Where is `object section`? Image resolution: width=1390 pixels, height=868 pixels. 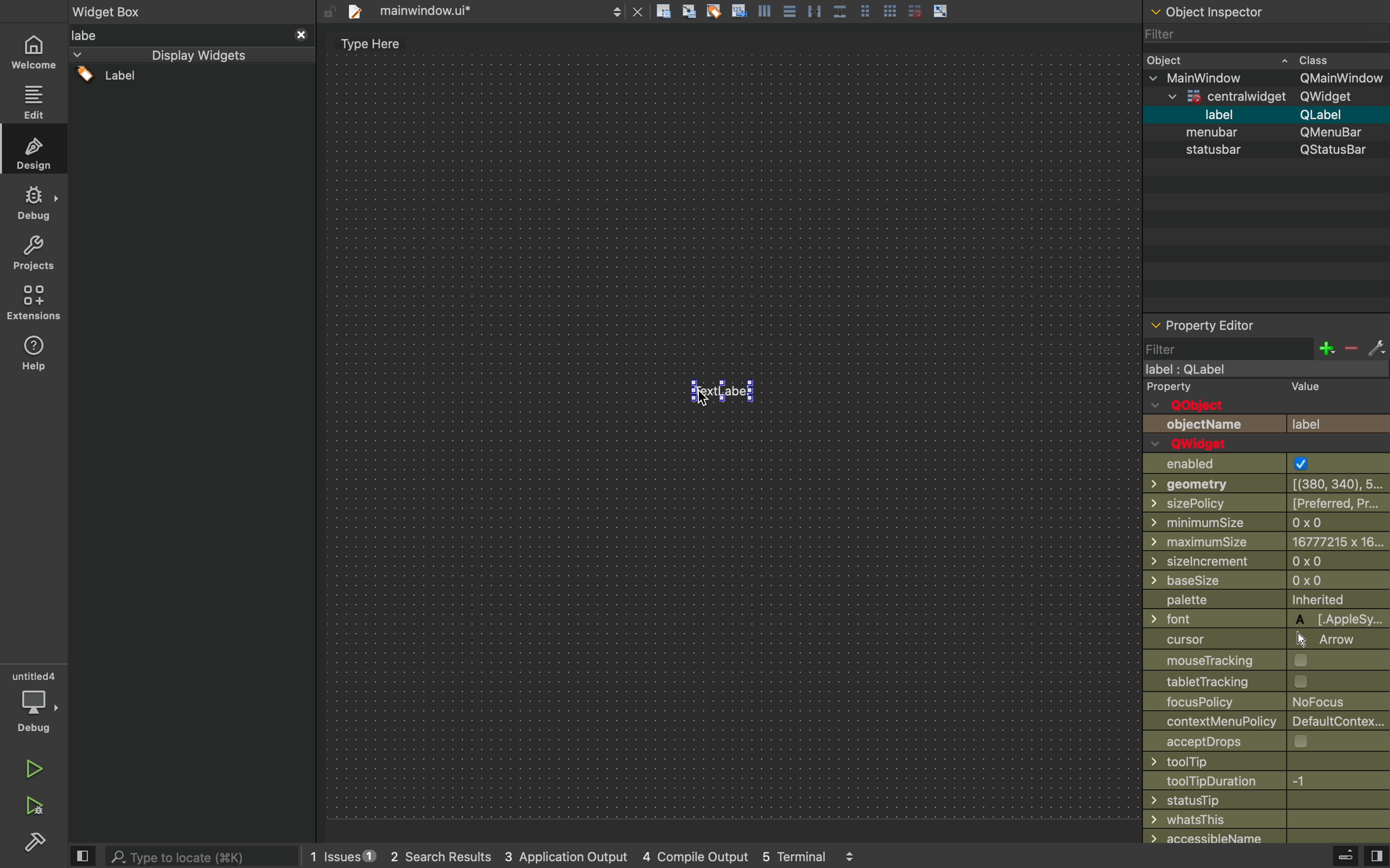 object section is located at coordinates (1263, 13).